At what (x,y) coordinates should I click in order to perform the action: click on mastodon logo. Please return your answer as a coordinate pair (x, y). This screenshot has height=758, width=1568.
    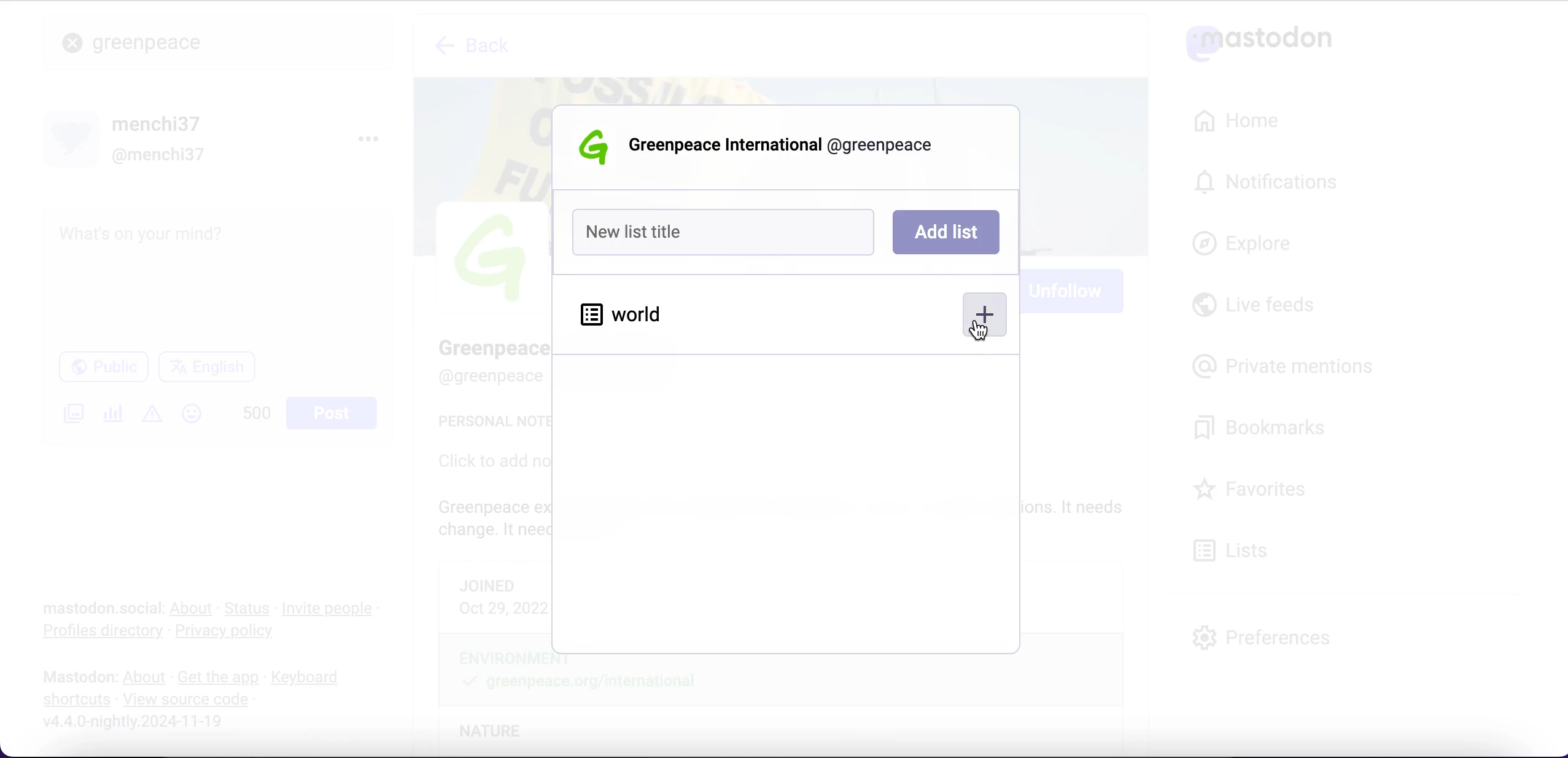
    Looking at the image, I should click on (1259, 40).